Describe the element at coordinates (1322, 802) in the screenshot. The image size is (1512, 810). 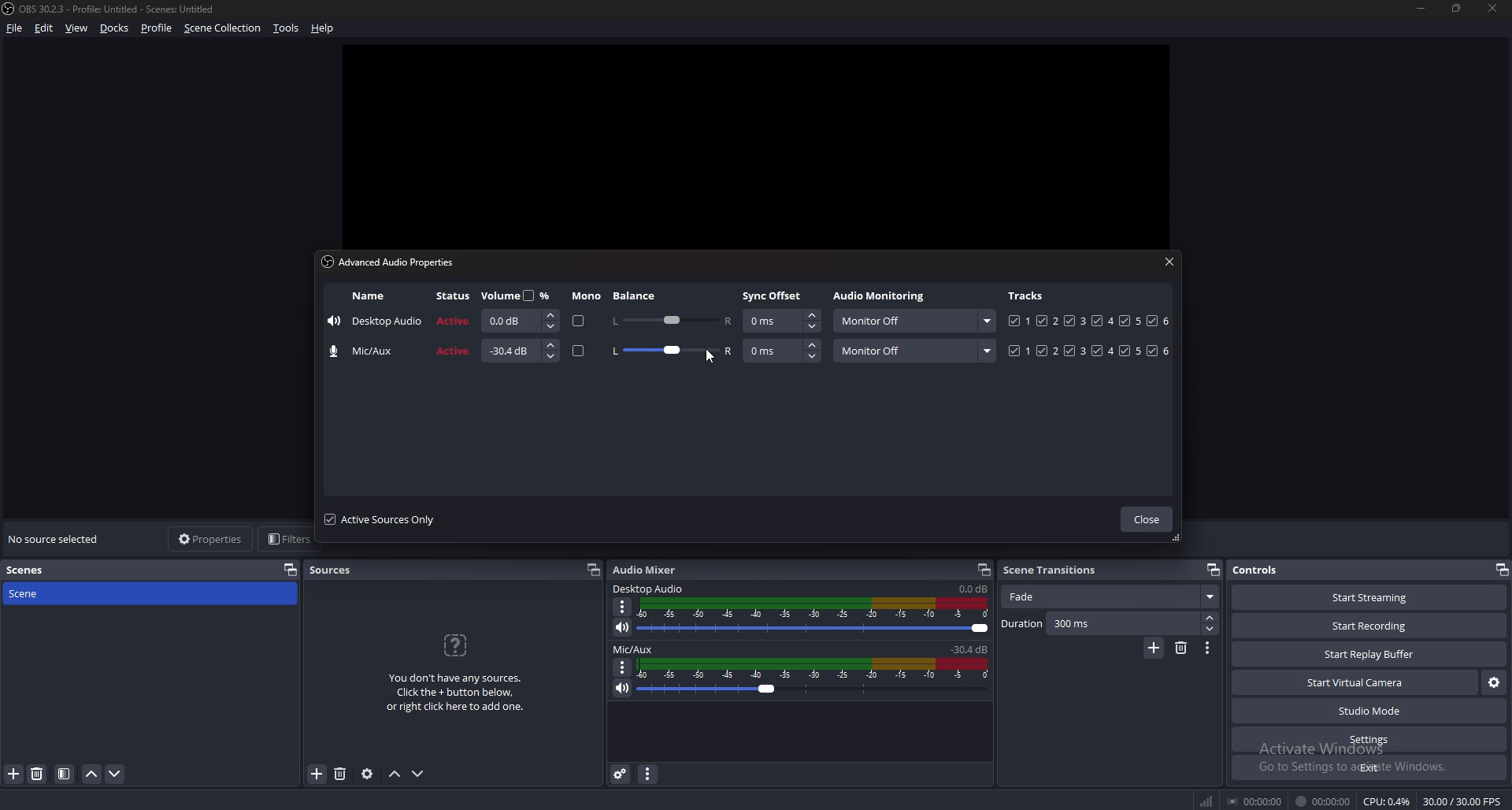
I see `00:00:00` at that location.